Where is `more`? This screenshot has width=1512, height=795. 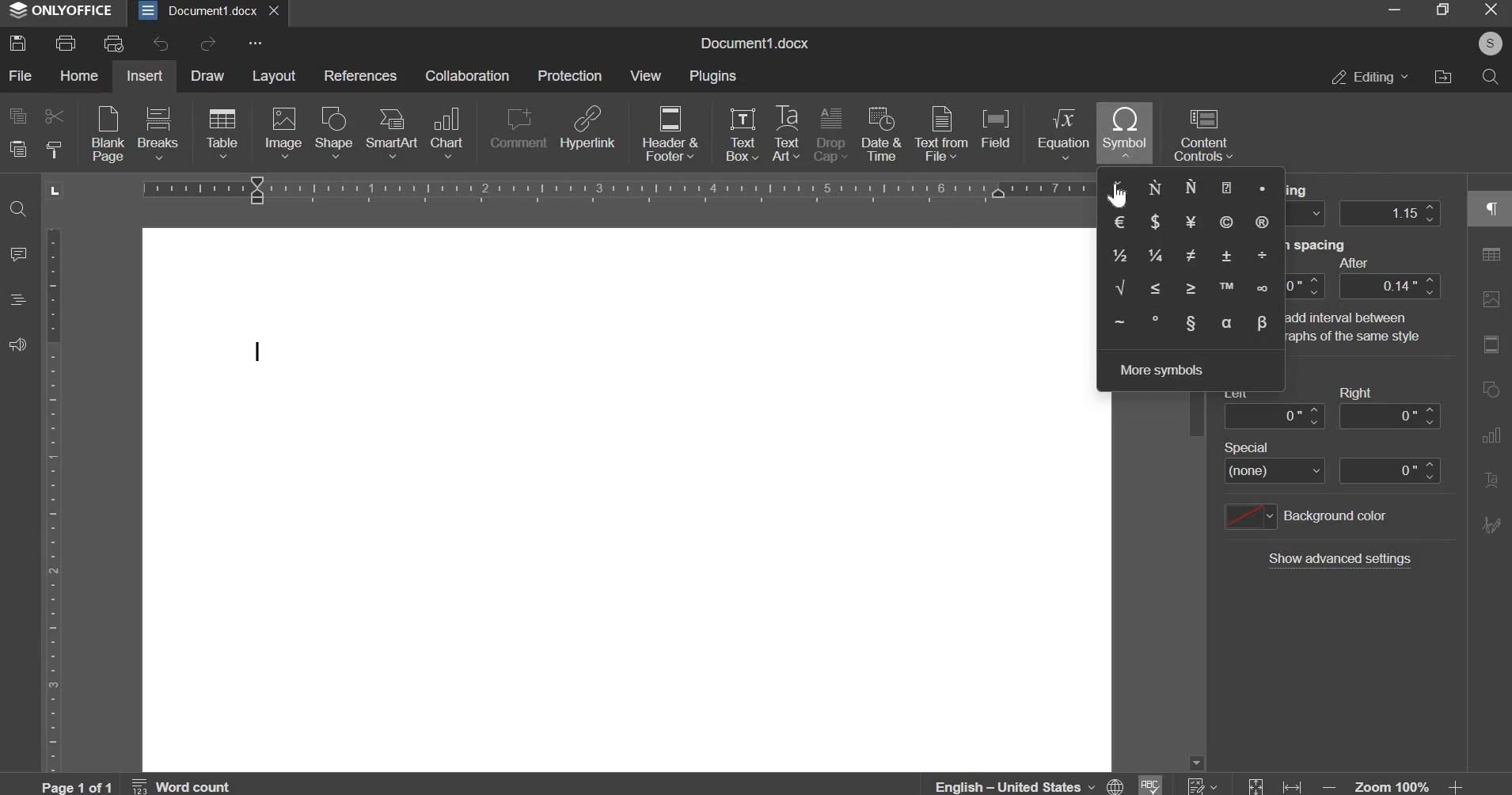 more is located at coordinates (253, 43).